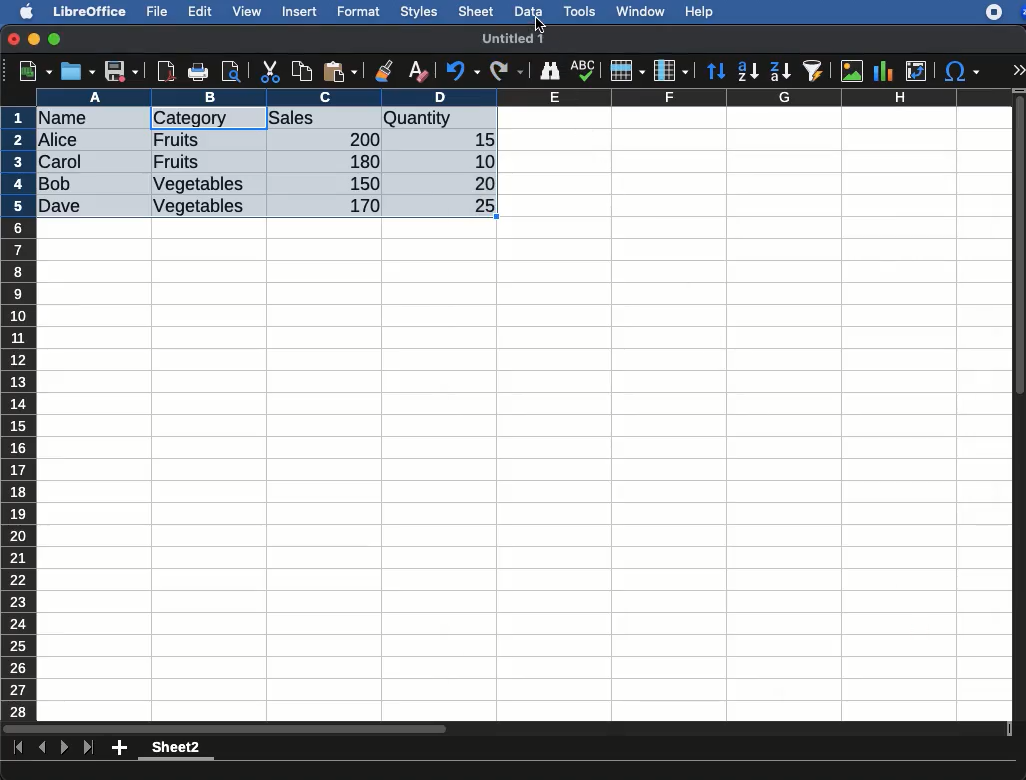 The width and height of the screenshot is (1026, 780). What do you see at coordinates (198, 207) in the screenshot?
I see `Vegetables` at bounding box center [198, 207].